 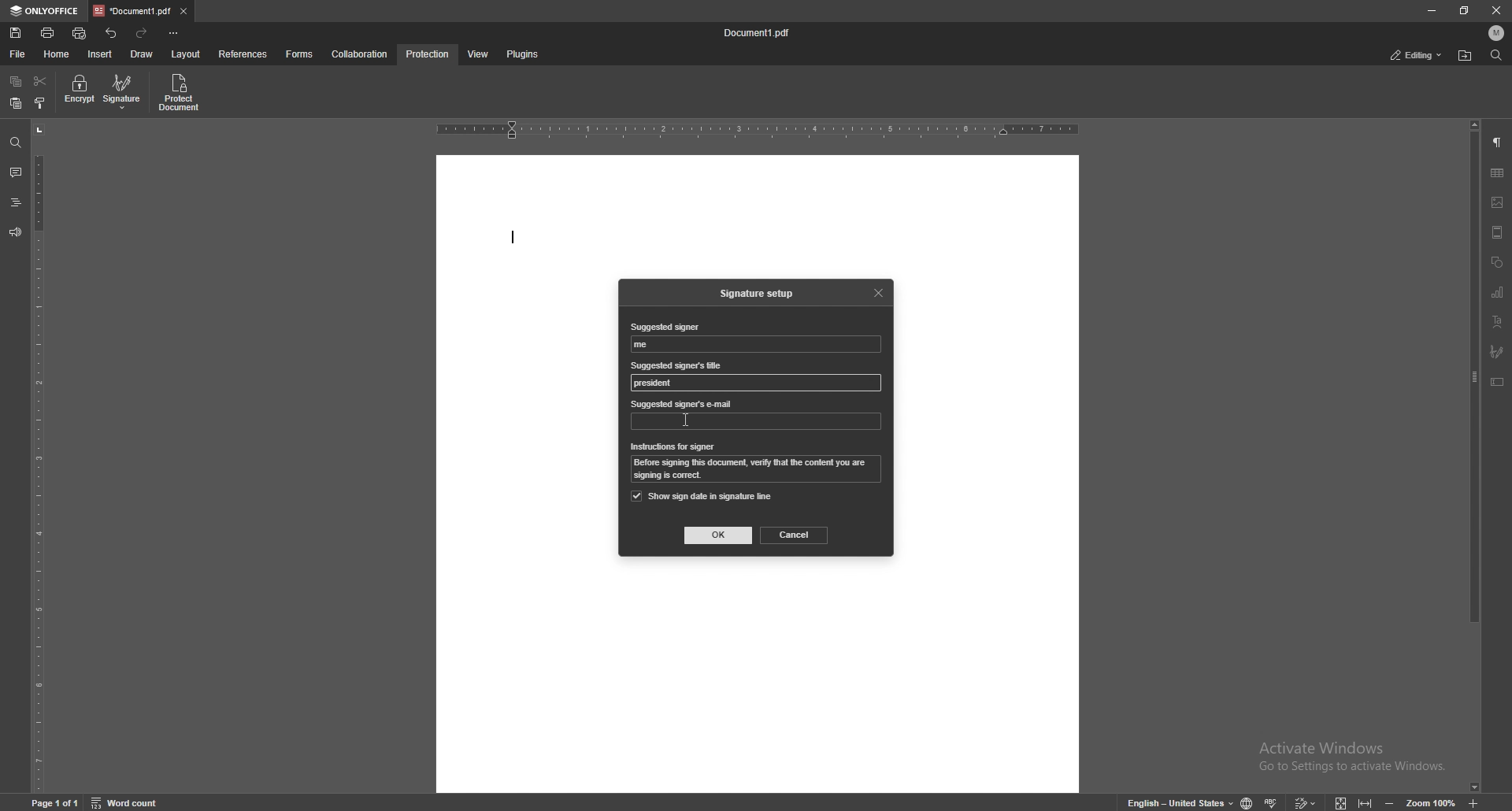 What do you see at coordinates (1487, 803) in the screenshot?
I see `zoom in` at bounding box center [1487, 803].